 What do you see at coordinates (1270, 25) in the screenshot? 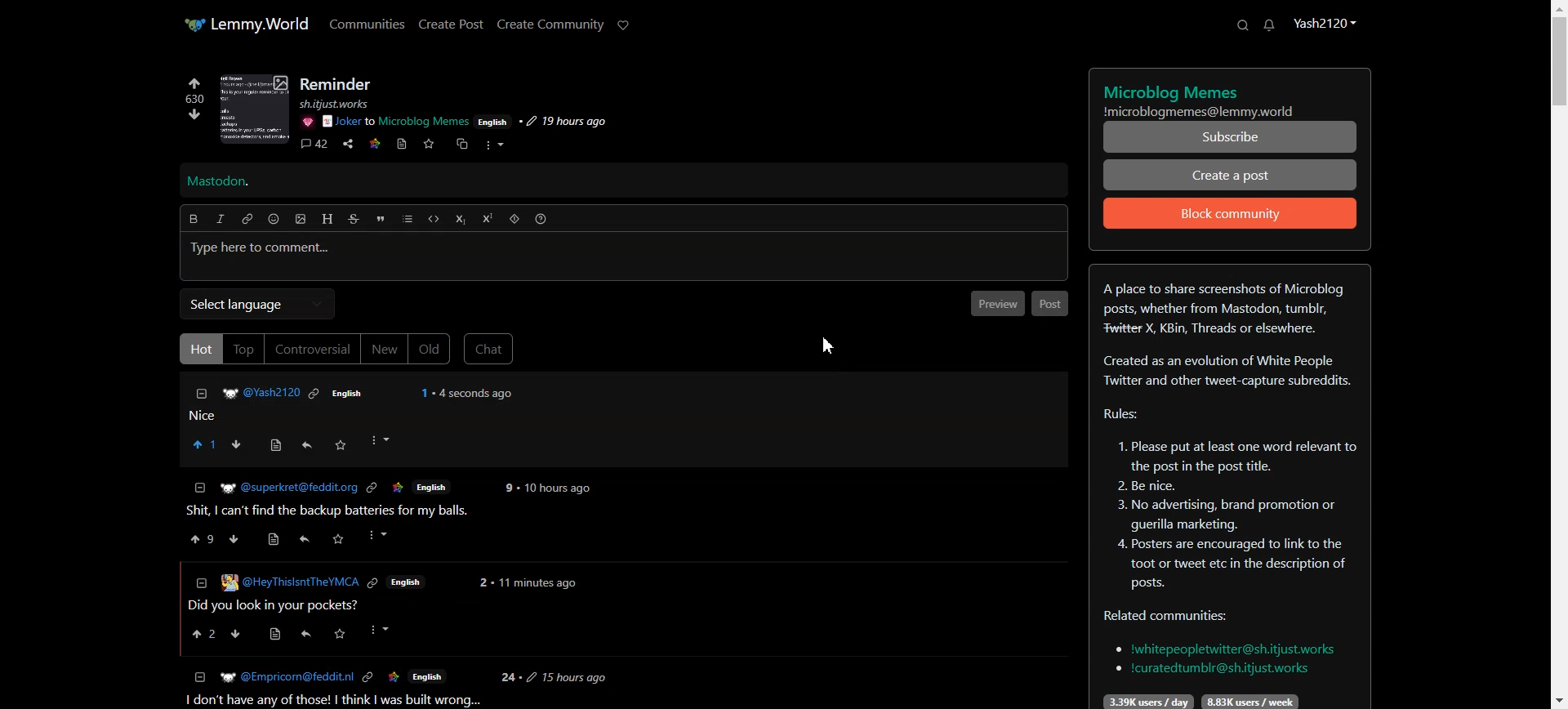
I see `Unread Messages` at bounding box center [1270, 25].